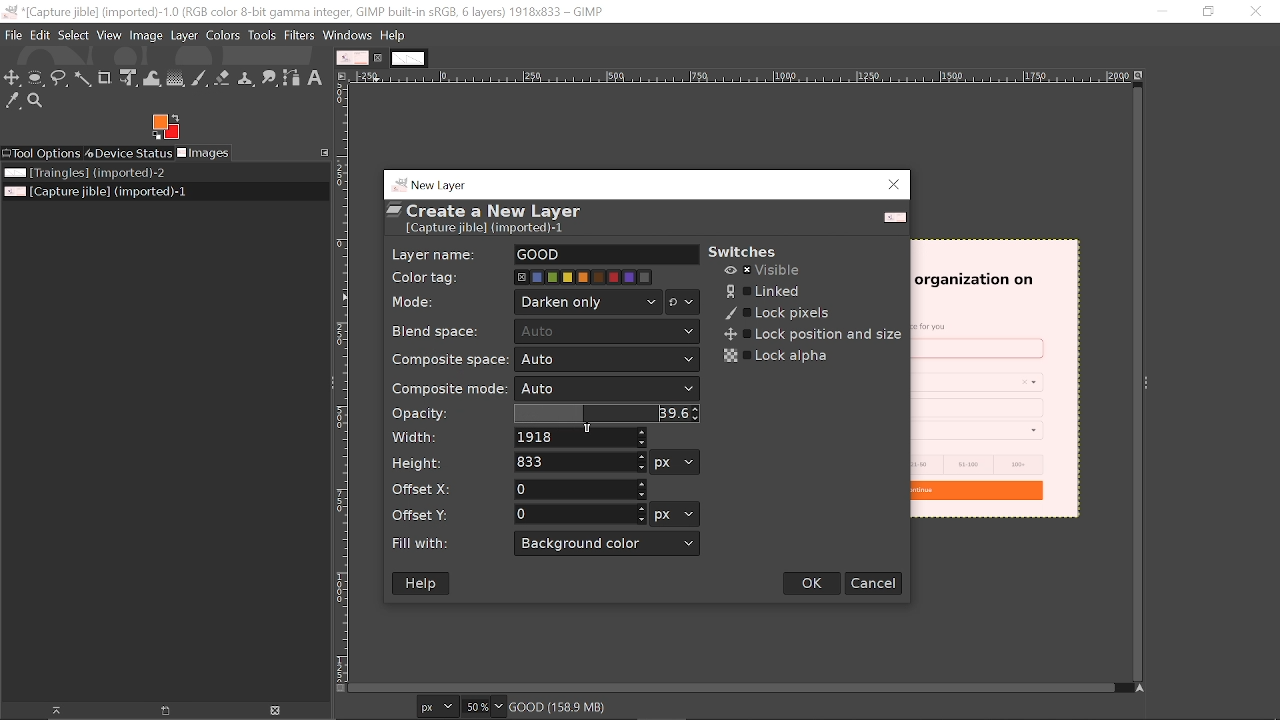 Image resolution: width=1280 pixels, height=720 pixels. What do you see at coordinates (204, 153) in the screenshot?
I see `Images` at bounding box center [204, 153].